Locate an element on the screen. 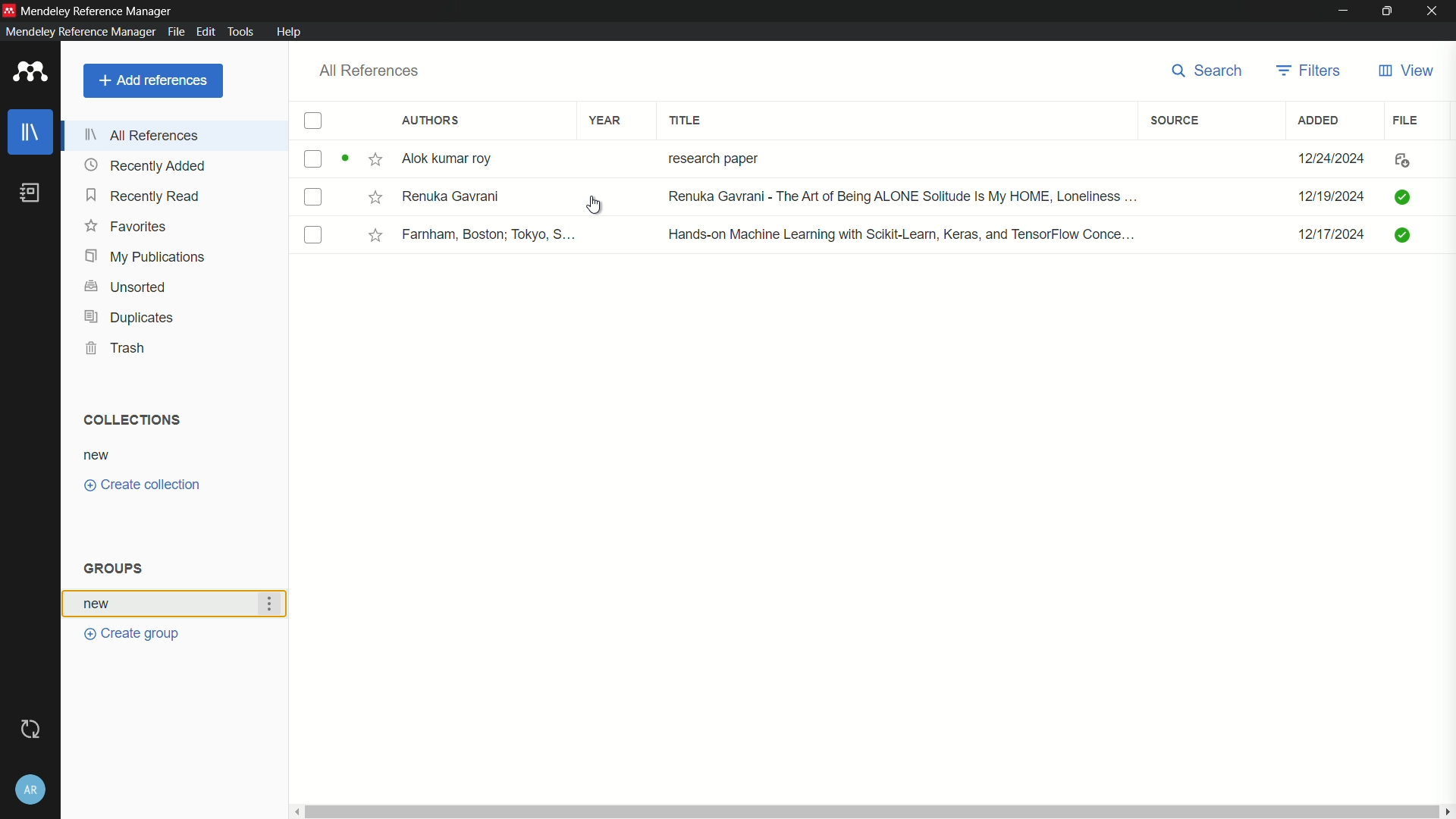 This screenshot has height=819, width=1456. file is located at coordinates (1407, 119).